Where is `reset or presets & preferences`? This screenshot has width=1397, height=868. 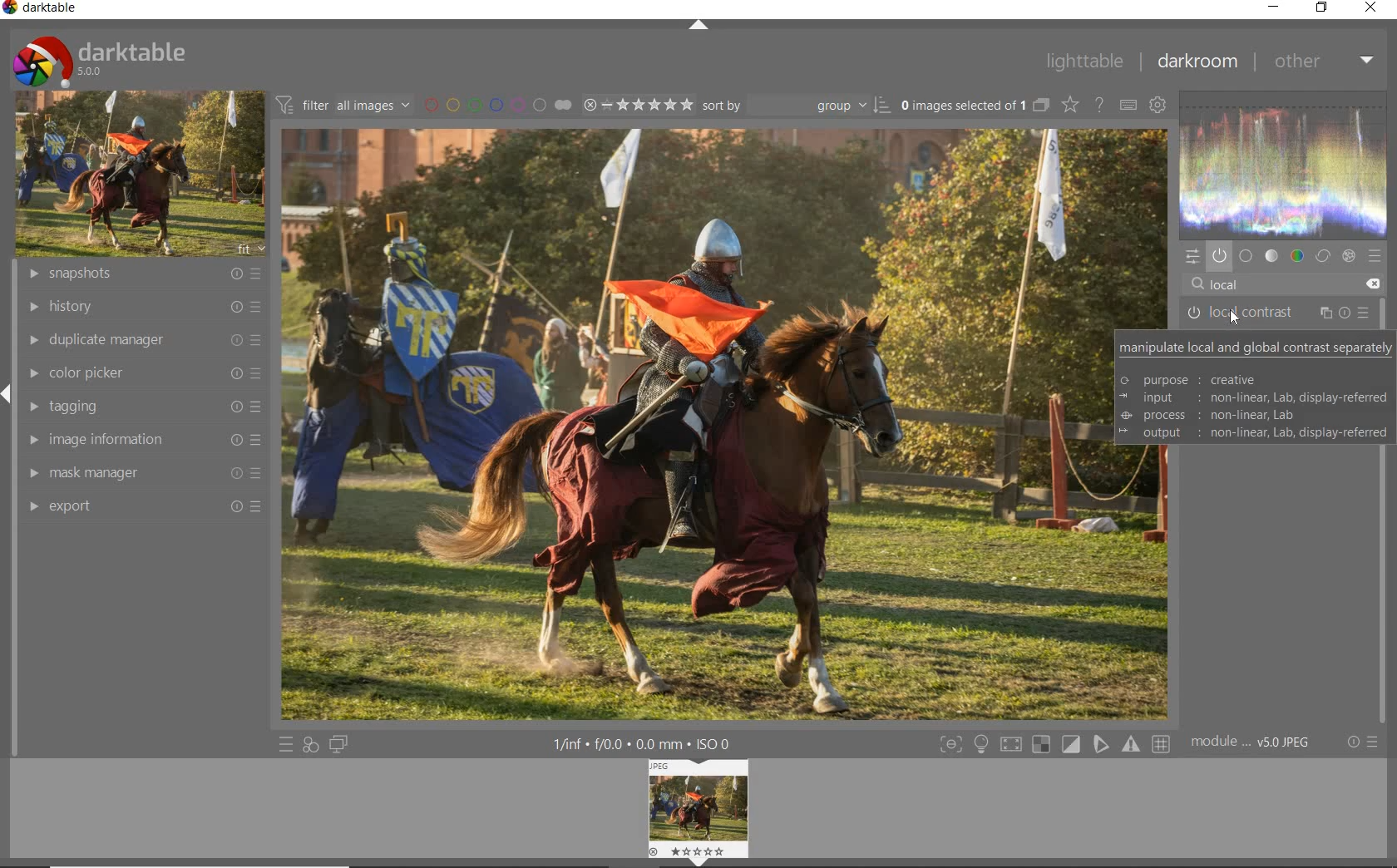
reset or presets & preferences is located at coordinates (1361, 742).